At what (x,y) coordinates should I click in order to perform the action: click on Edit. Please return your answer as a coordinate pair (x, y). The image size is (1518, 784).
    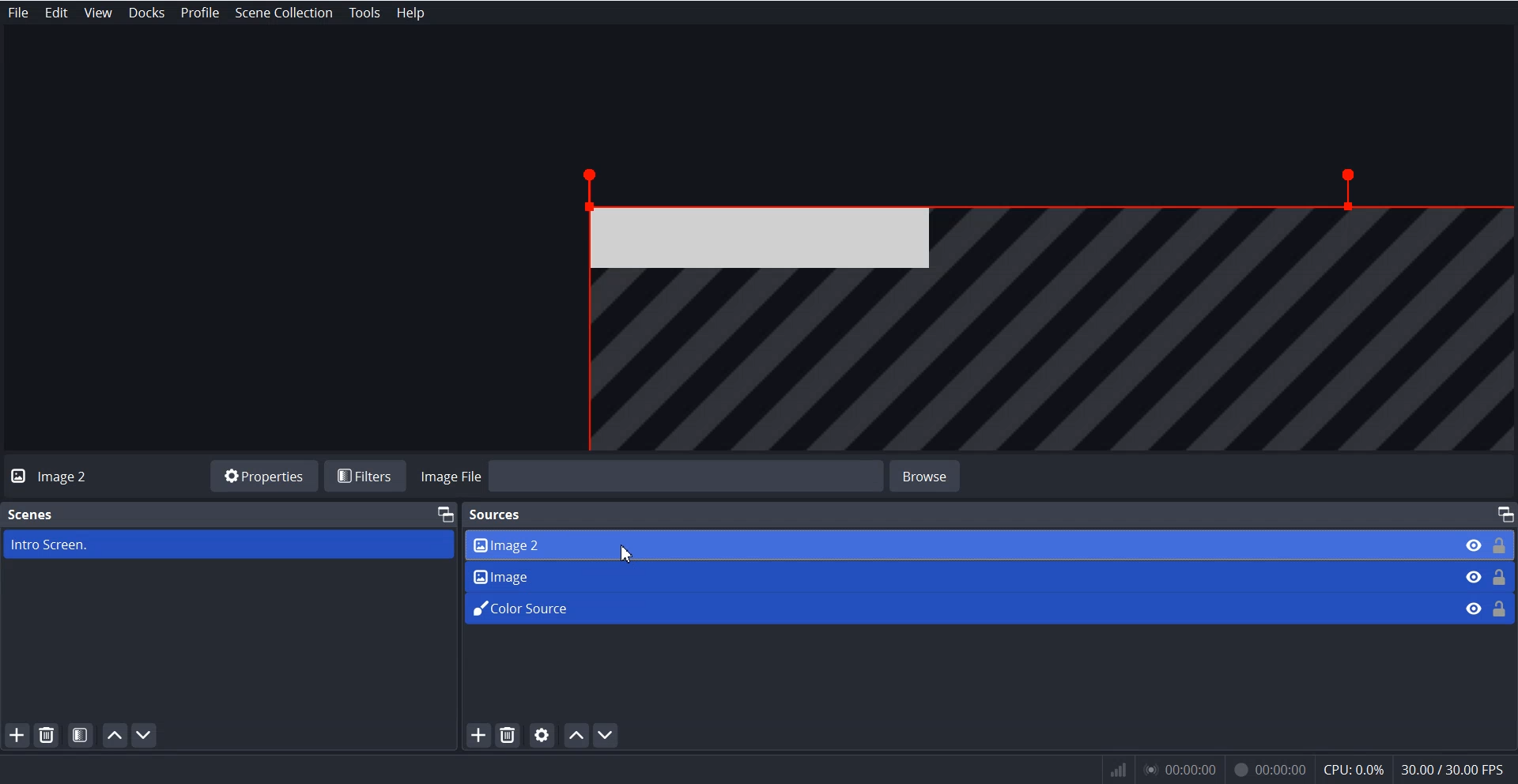
    Looking at the image, I should click on (57, 13).